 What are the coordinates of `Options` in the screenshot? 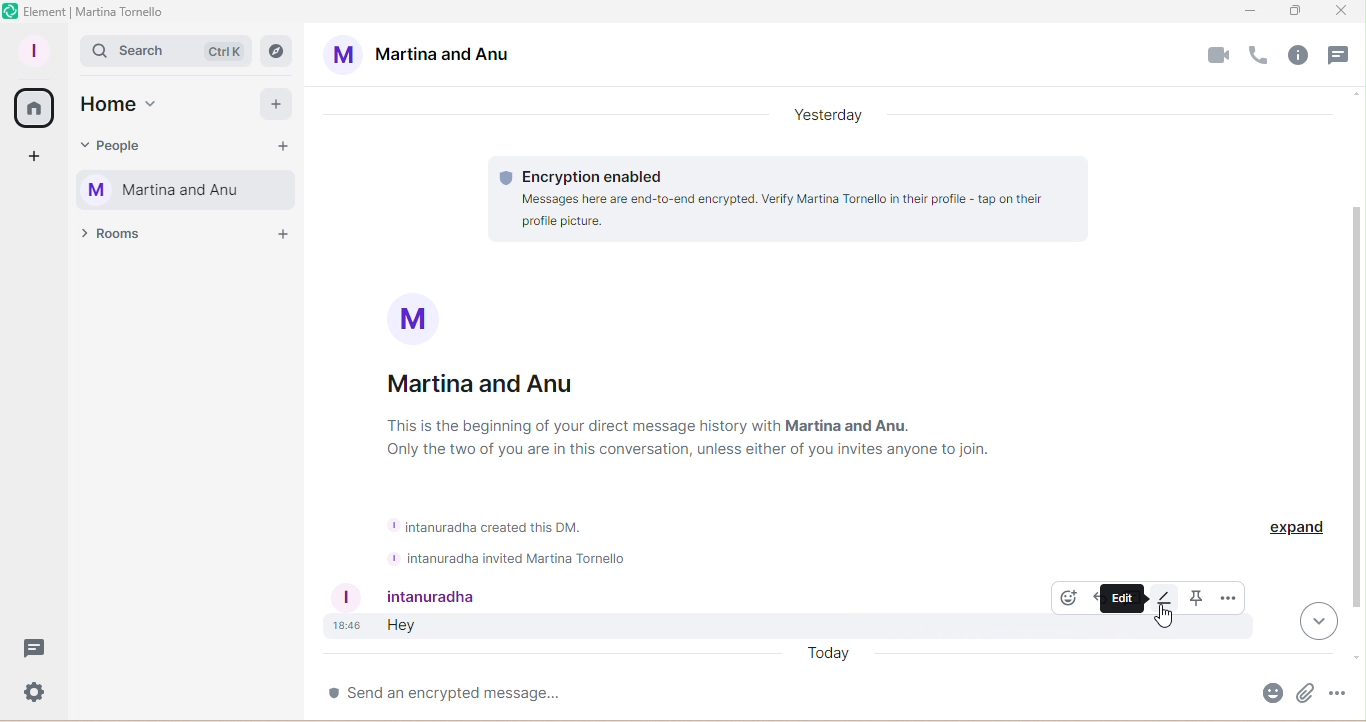 It's located at (1226, 598).